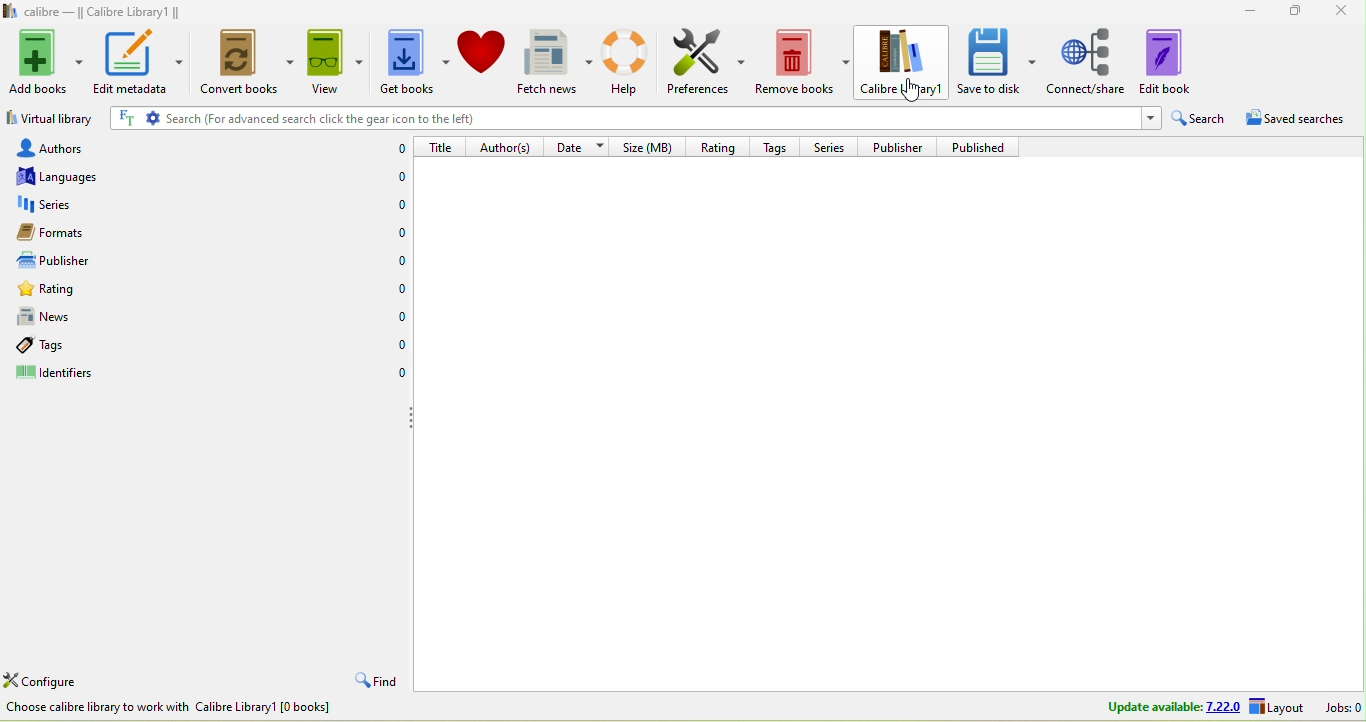 This screenshot has width=1366, height=722. Describe the element at coordinates (89, 292) in the screenshot. I see `rating` at that location.